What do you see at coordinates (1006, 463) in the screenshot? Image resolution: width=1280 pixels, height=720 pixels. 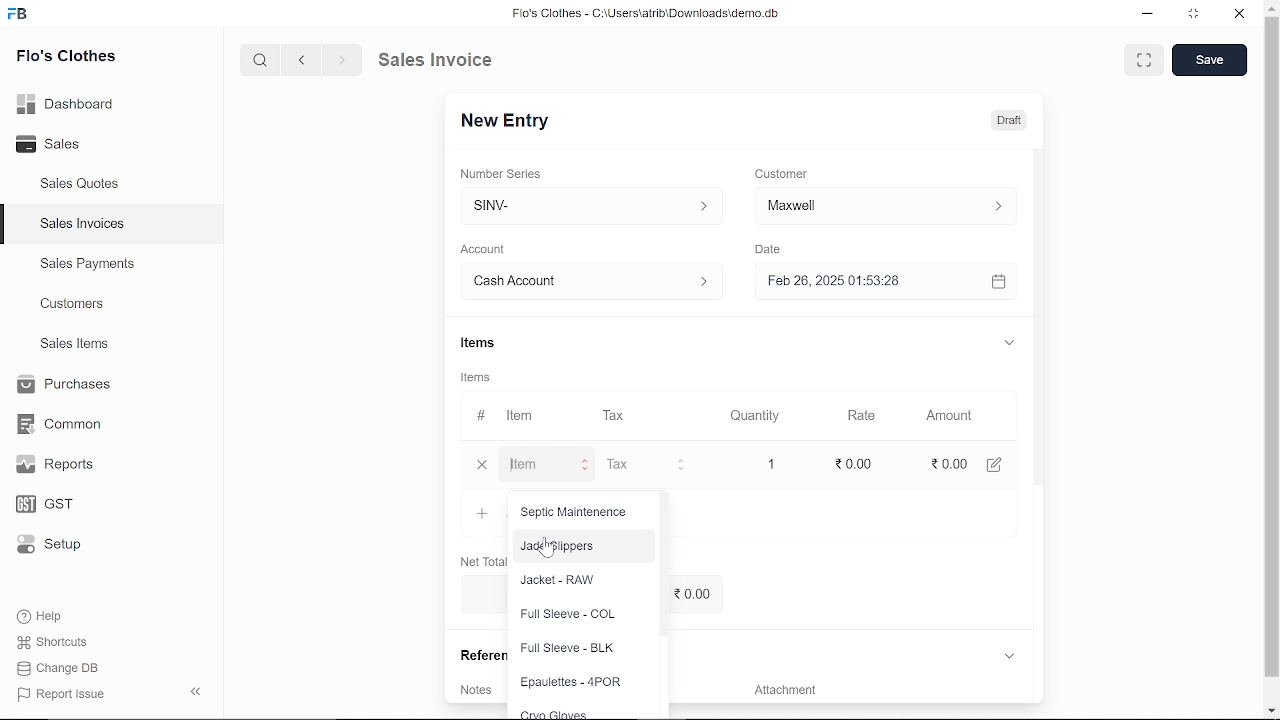 I see `edit account` at bounding box center [1006, 463].